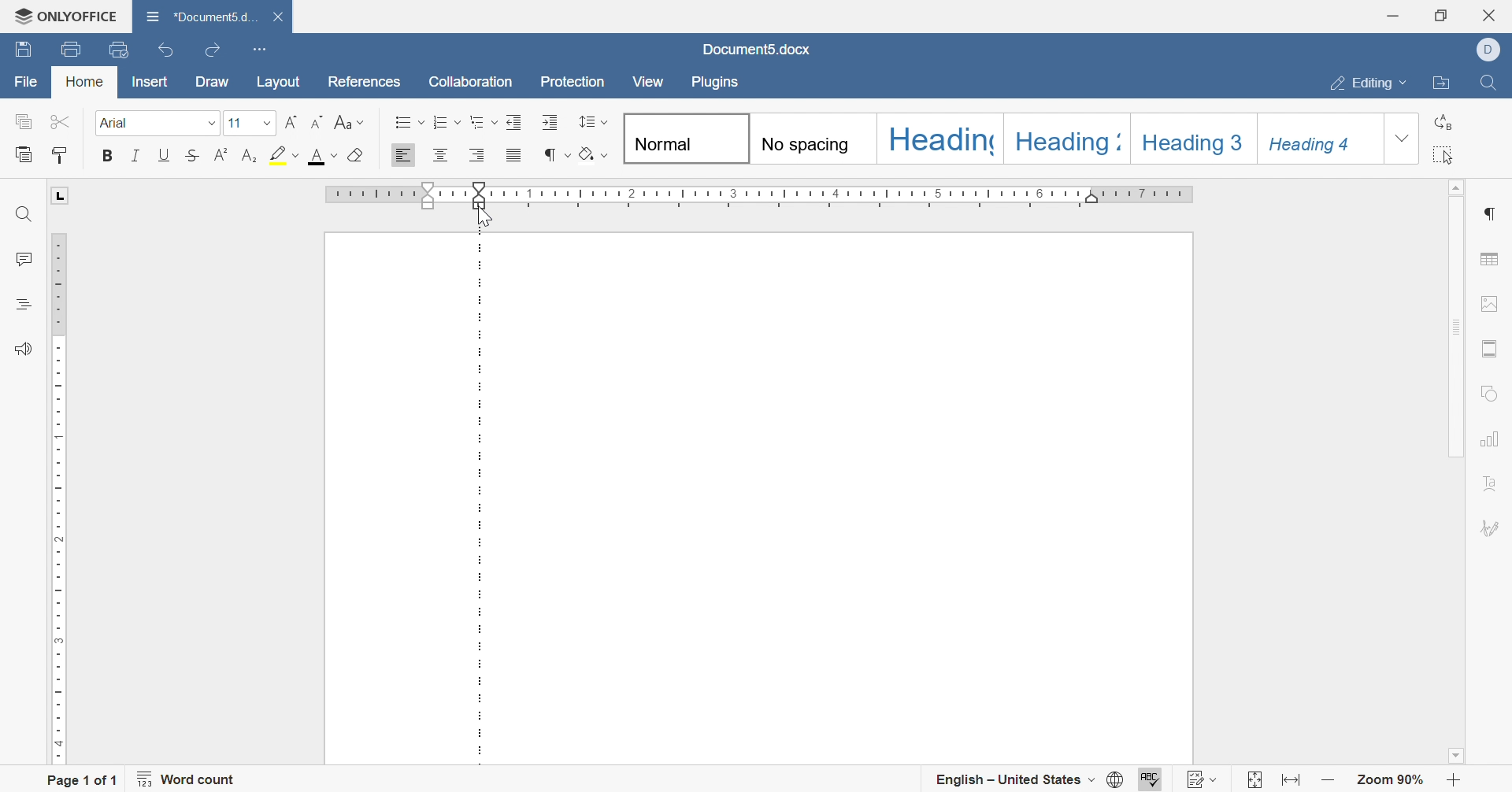  Describe the element at coordinates (22, 350) in the screenshot. I see `feedback and support` at that location.